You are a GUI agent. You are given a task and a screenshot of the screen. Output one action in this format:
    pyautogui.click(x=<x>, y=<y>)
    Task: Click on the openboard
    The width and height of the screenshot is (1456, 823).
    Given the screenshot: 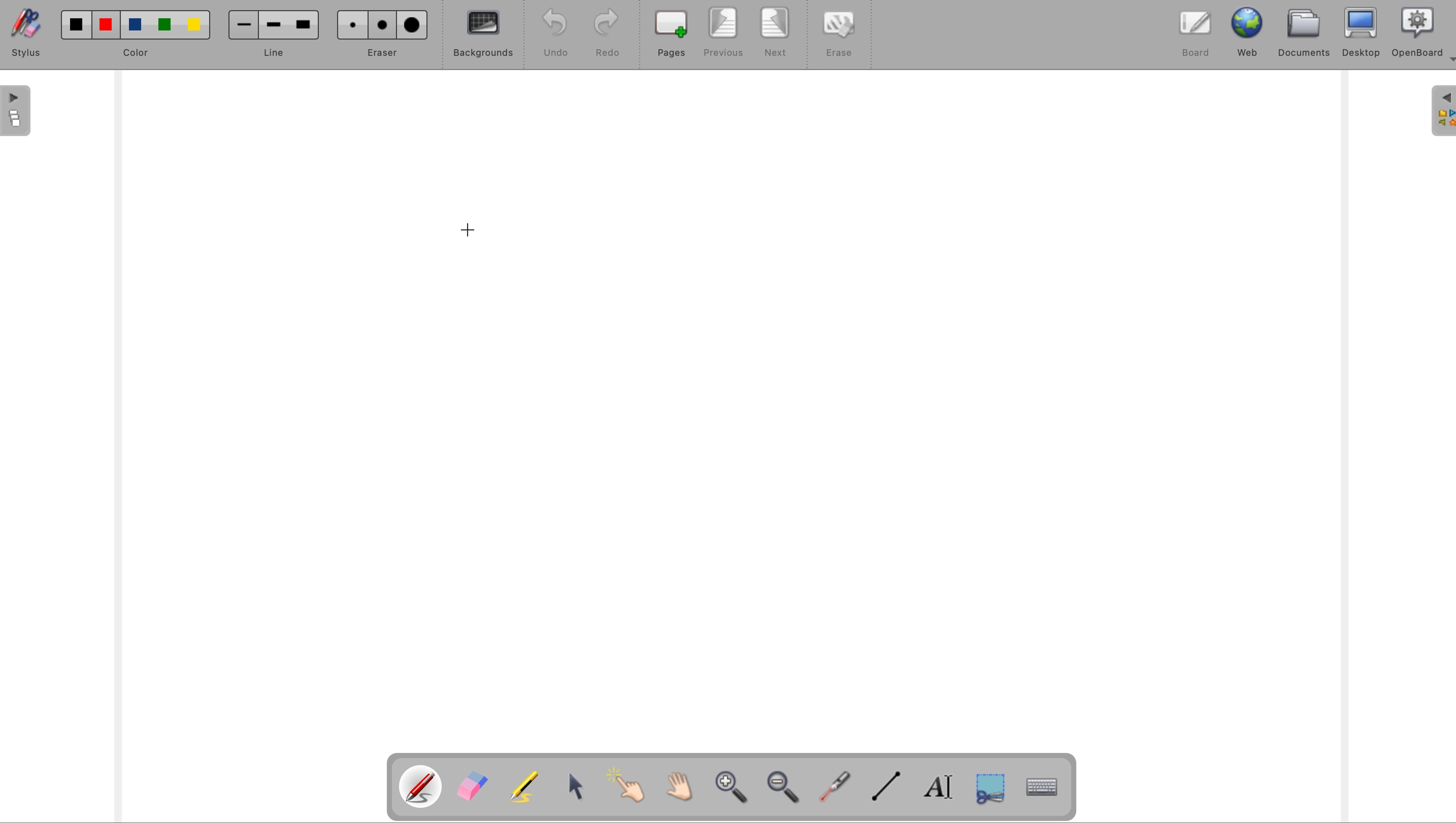 What is the action you would take?
    pyautogui.click(x=1415, y=33)
    